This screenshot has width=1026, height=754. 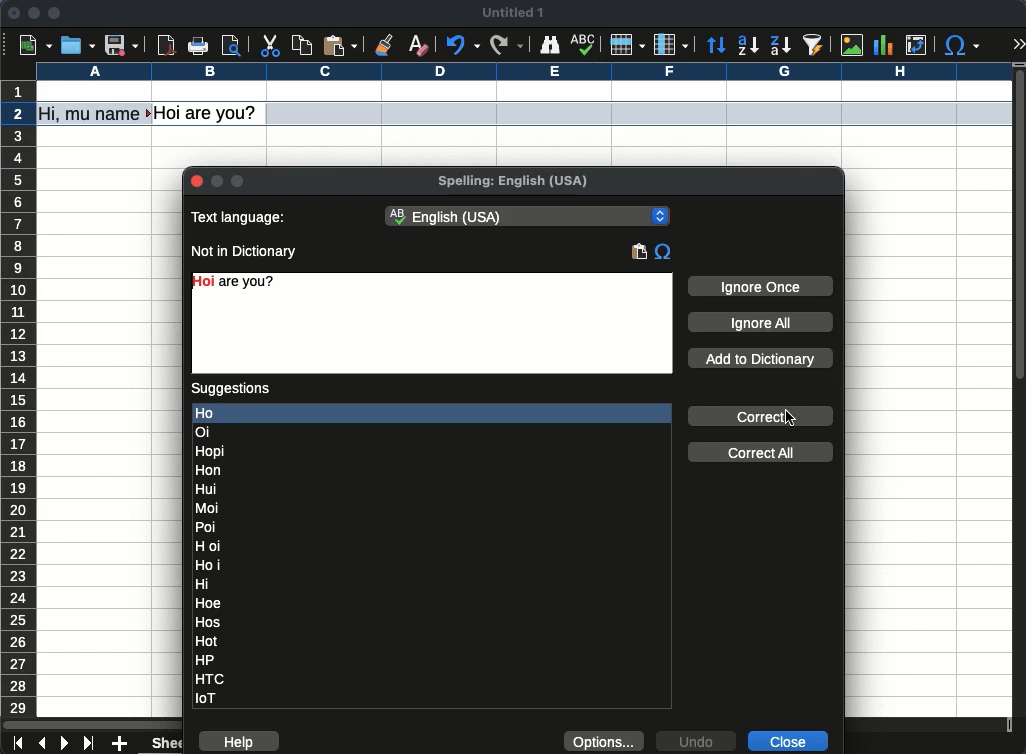 I want to click on text language, so click(x=241, y=216).